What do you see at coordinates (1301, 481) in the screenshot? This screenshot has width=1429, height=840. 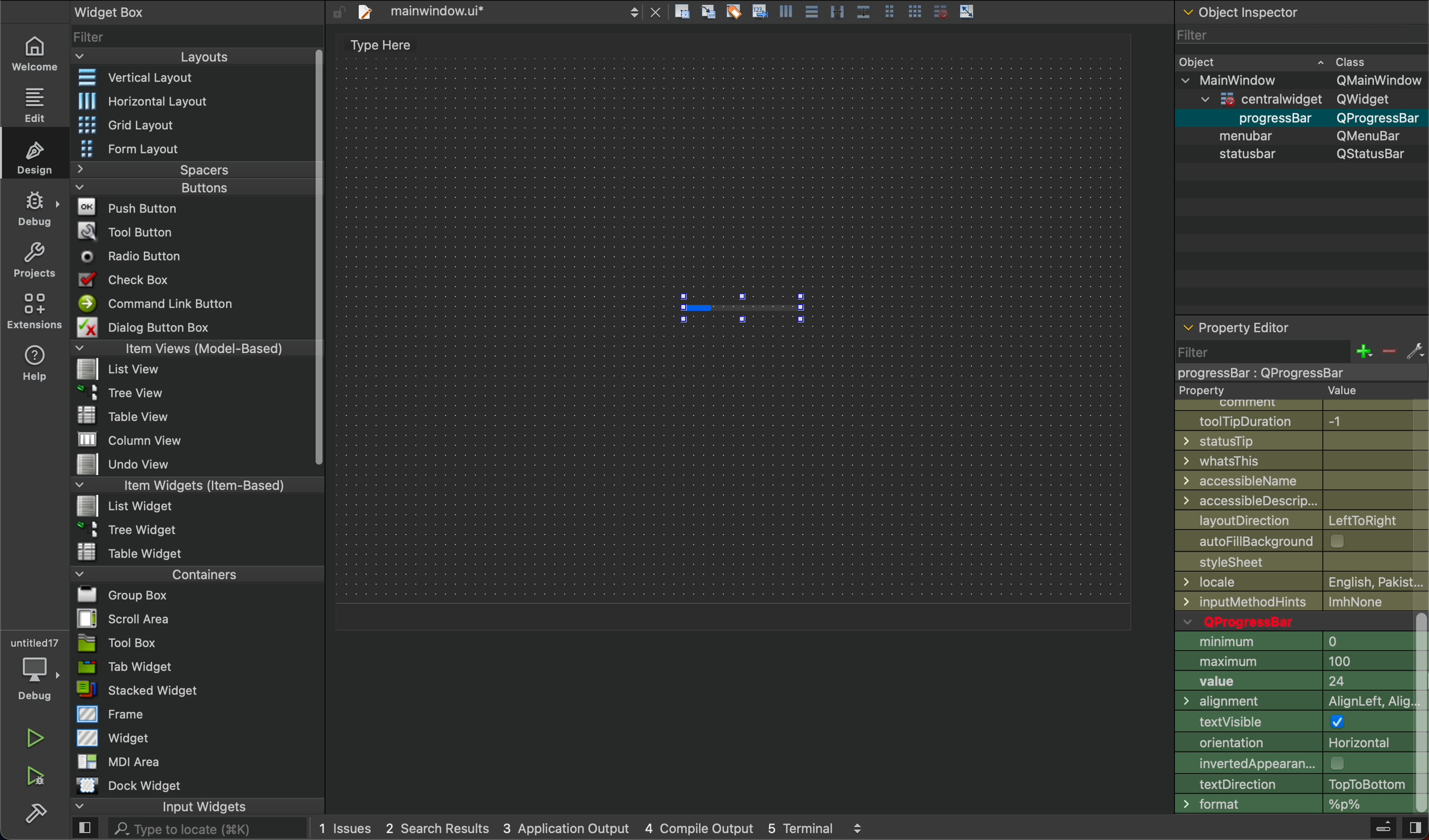 I see `Accessible Nmae` at bounding box center [1301, 481].